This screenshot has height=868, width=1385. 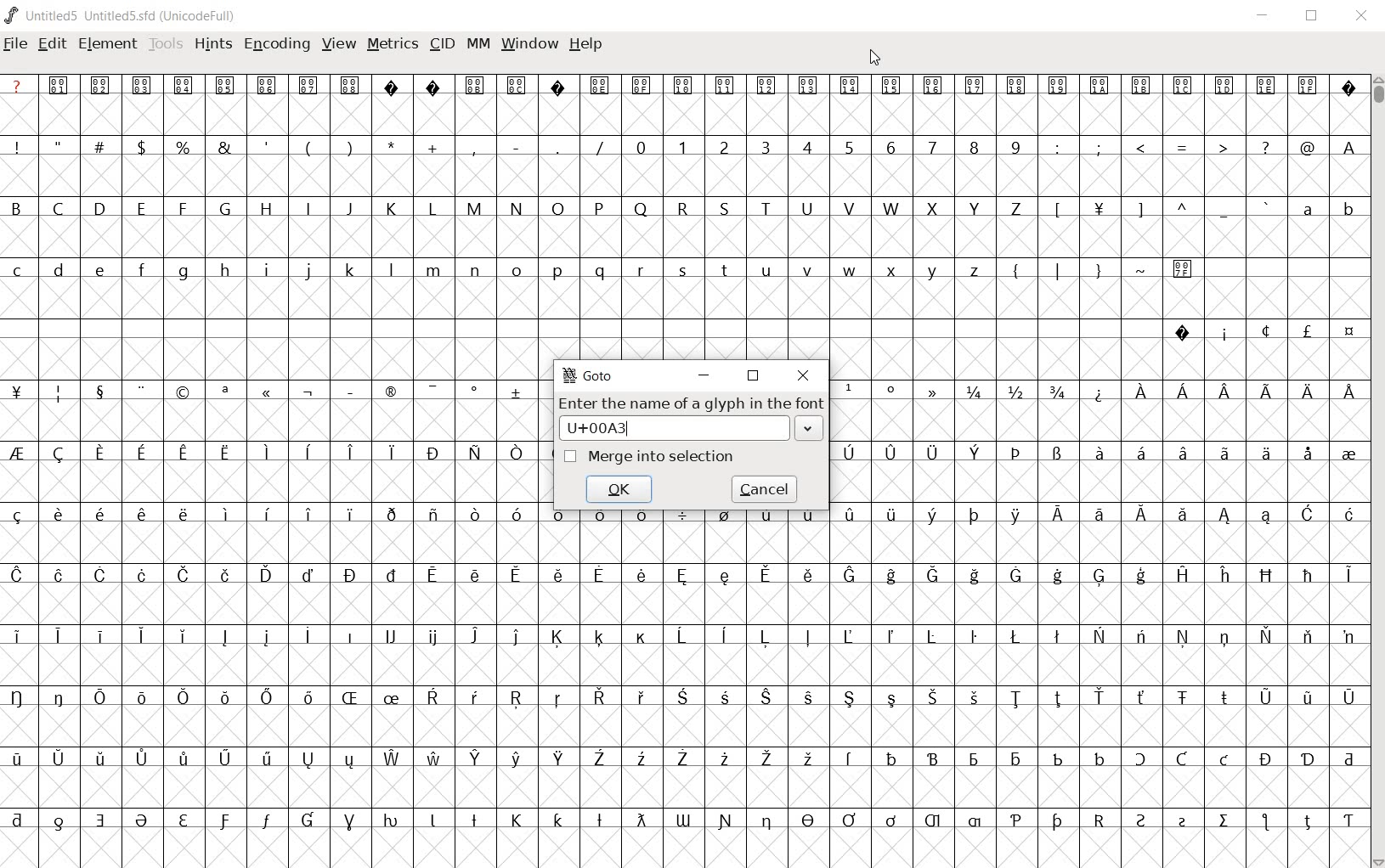 What do you see at coordinates (933, 208) in the screenshot?
I see `X` at bounding box center [933, 208].